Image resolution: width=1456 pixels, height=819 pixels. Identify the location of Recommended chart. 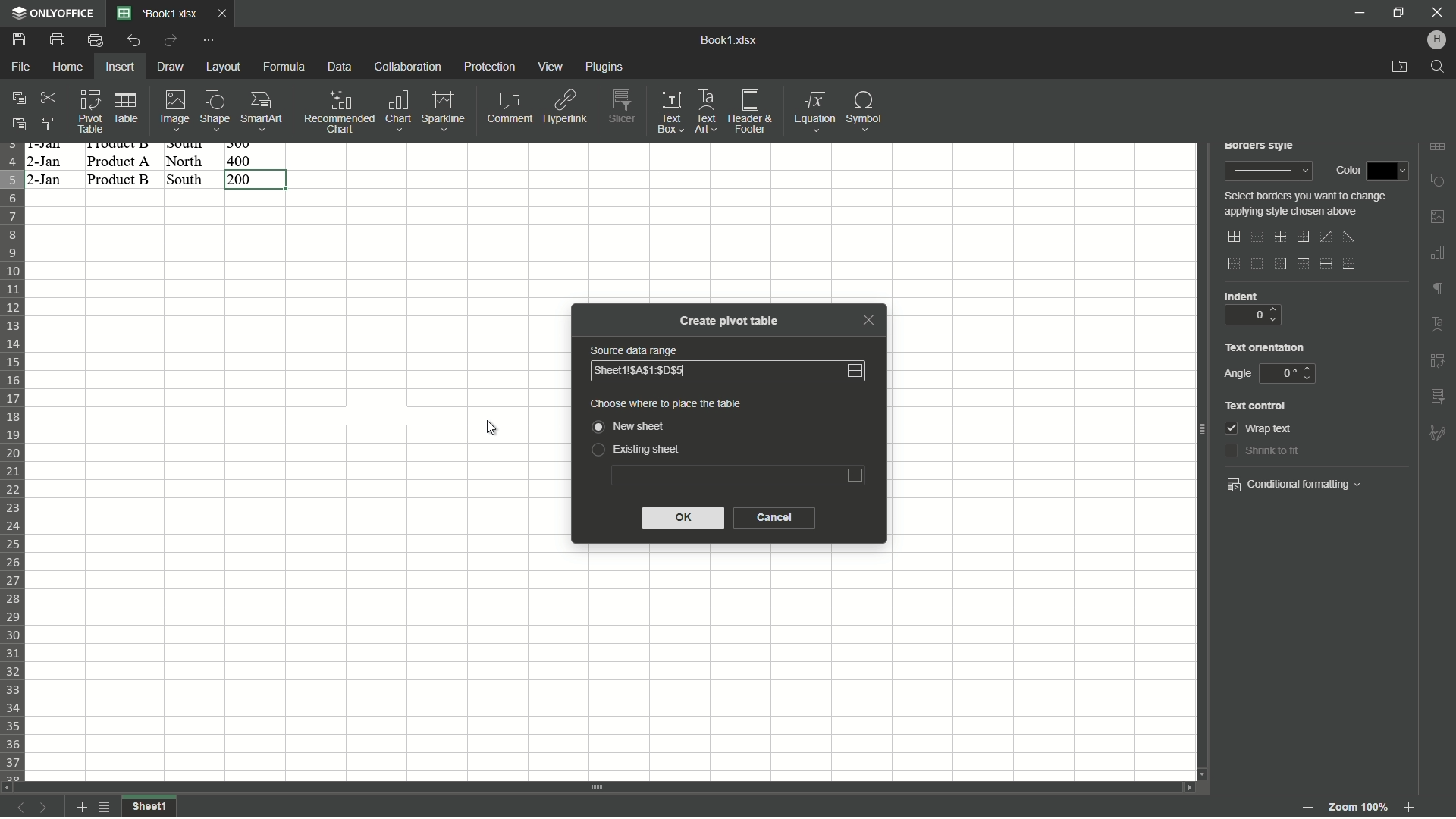
(340, 113).